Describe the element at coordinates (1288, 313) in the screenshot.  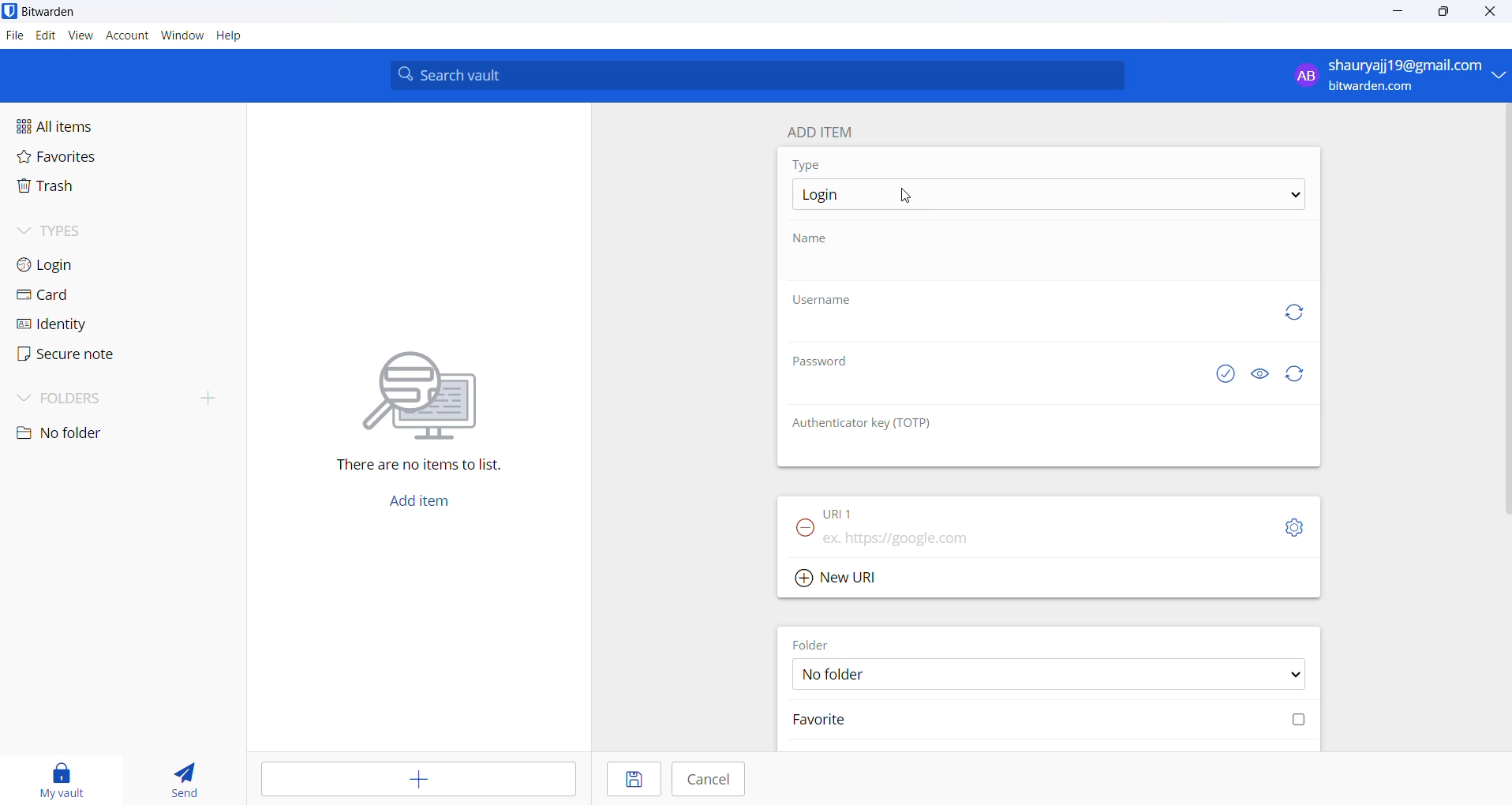
I see `refresh` at that location.